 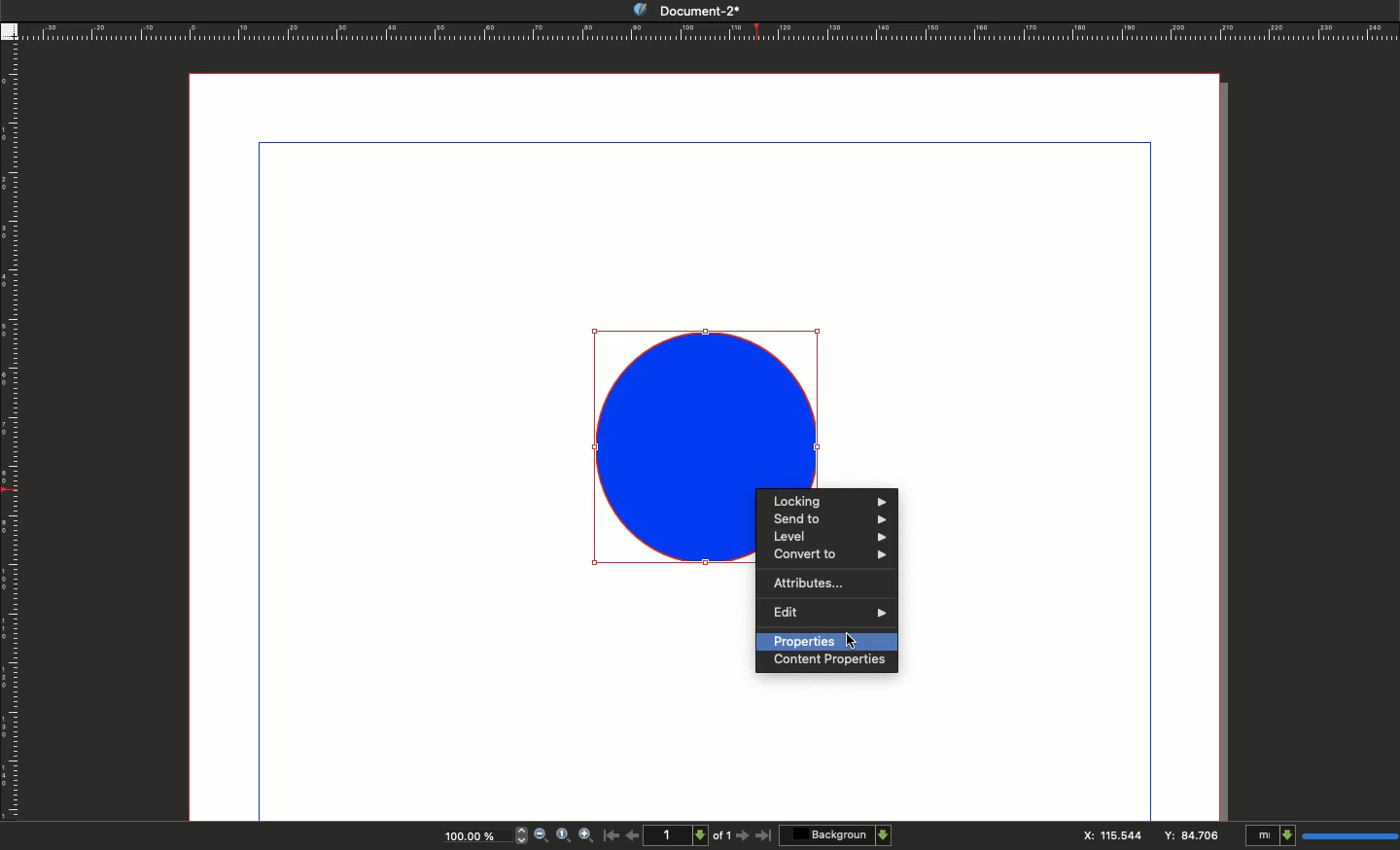 I want to click on Next page, so click(x=745, y=836).